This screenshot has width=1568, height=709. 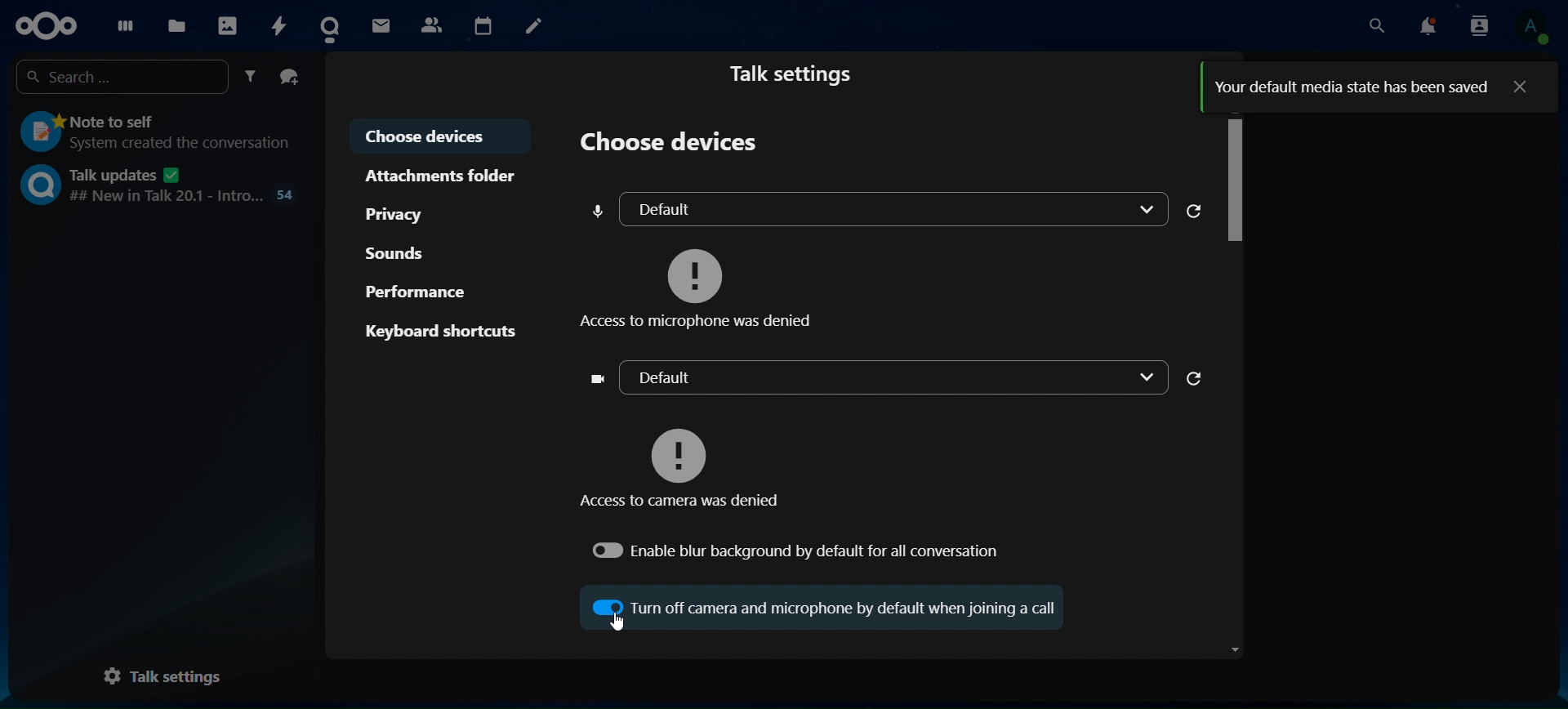 I want to click on Turn off Camera, so click(x=609, y=604).